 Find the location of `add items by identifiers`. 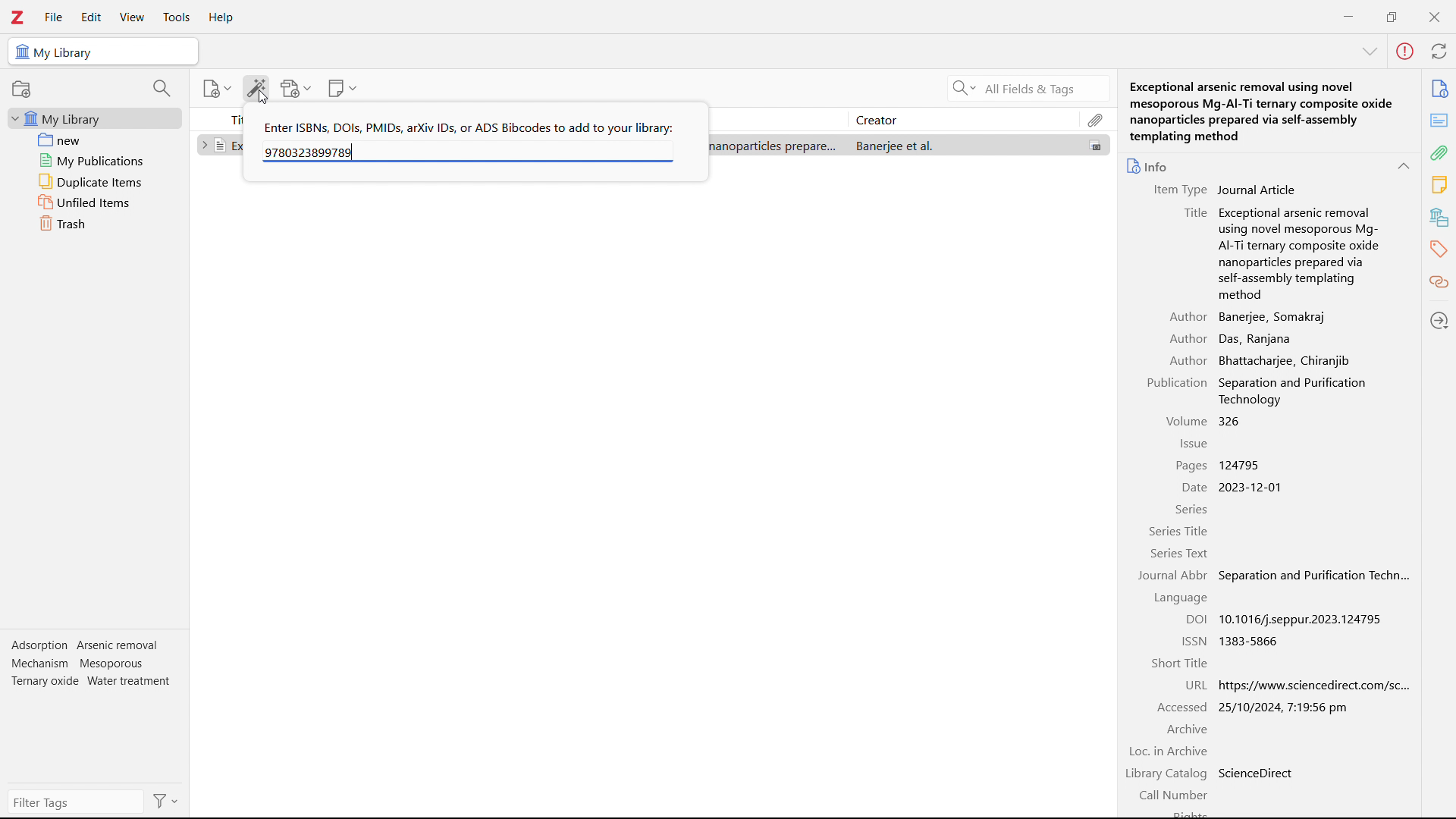

add items by identifiers is located at coordinates (256, 88).